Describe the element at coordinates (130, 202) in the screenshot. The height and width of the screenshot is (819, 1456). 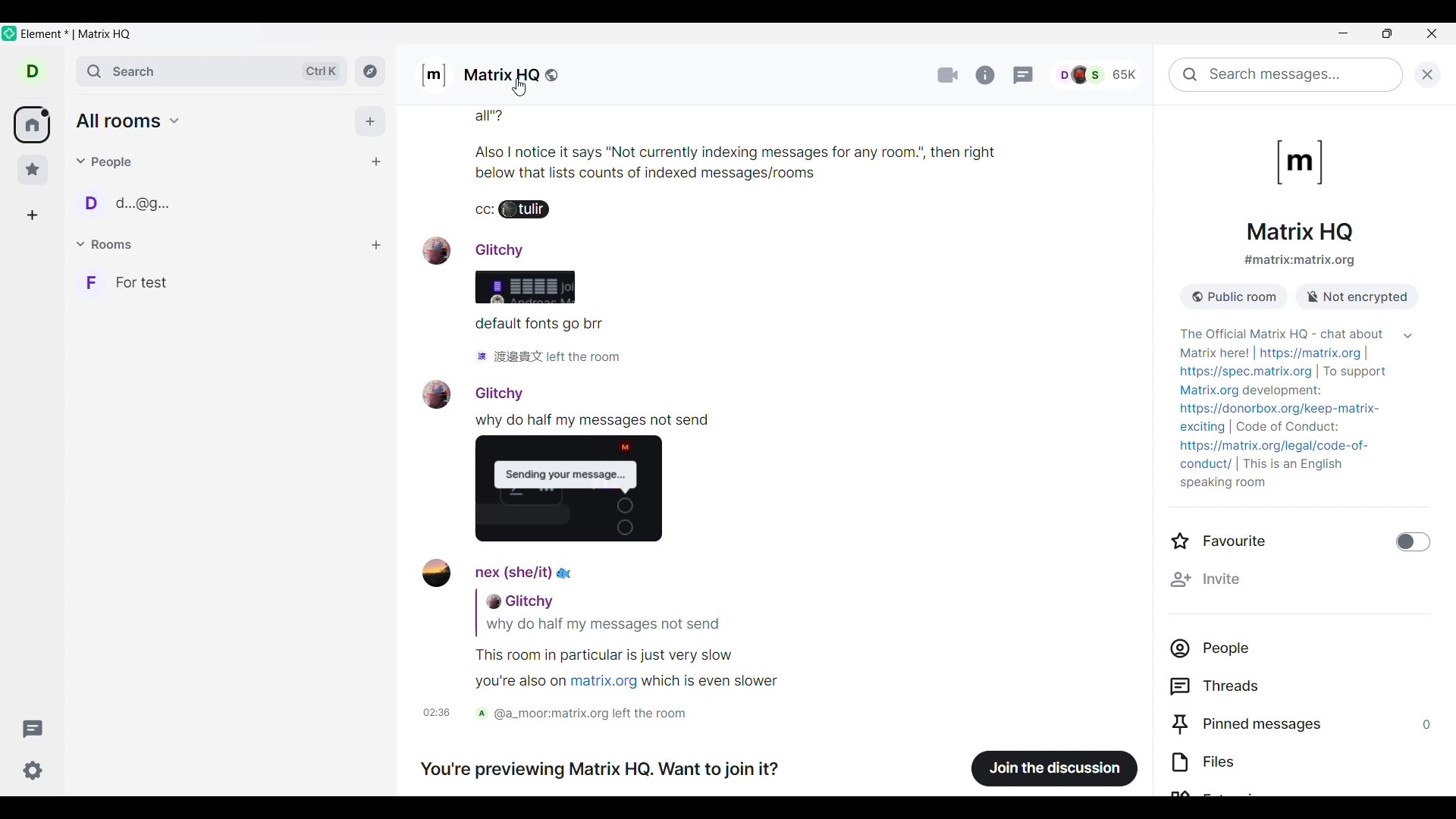
I see `Account under people` at that location.